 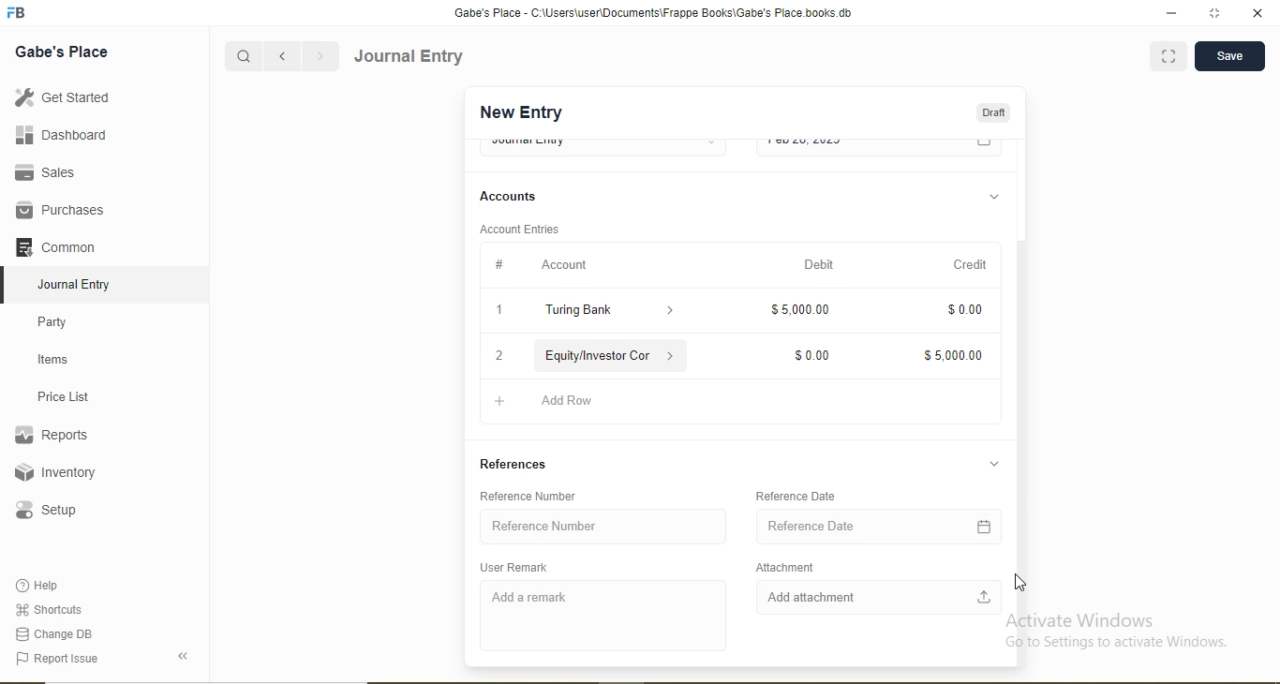 What do you see at coordinates (53, 324) in the screenshot?
I see `Party` at bounding box center [53, 324].